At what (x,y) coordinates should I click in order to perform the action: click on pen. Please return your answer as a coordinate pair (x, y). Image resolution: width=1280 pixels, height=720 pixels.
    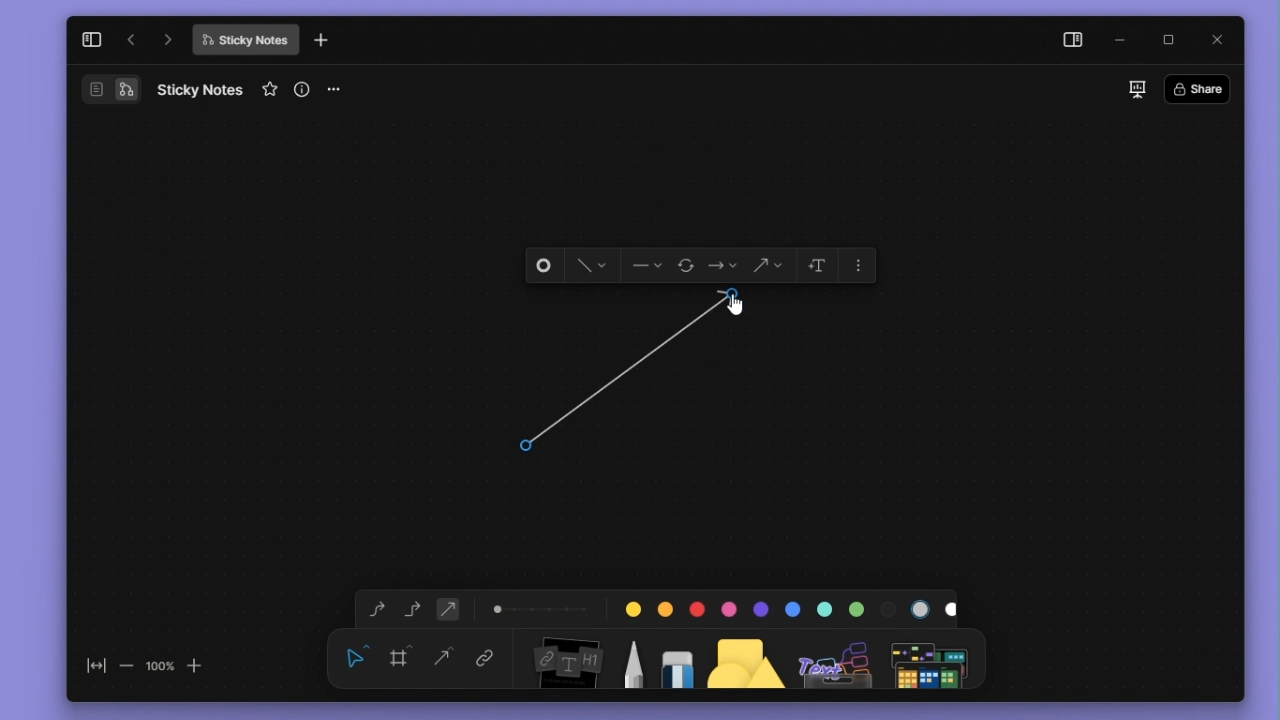
    Looking at the image, I should click on (632, 657).